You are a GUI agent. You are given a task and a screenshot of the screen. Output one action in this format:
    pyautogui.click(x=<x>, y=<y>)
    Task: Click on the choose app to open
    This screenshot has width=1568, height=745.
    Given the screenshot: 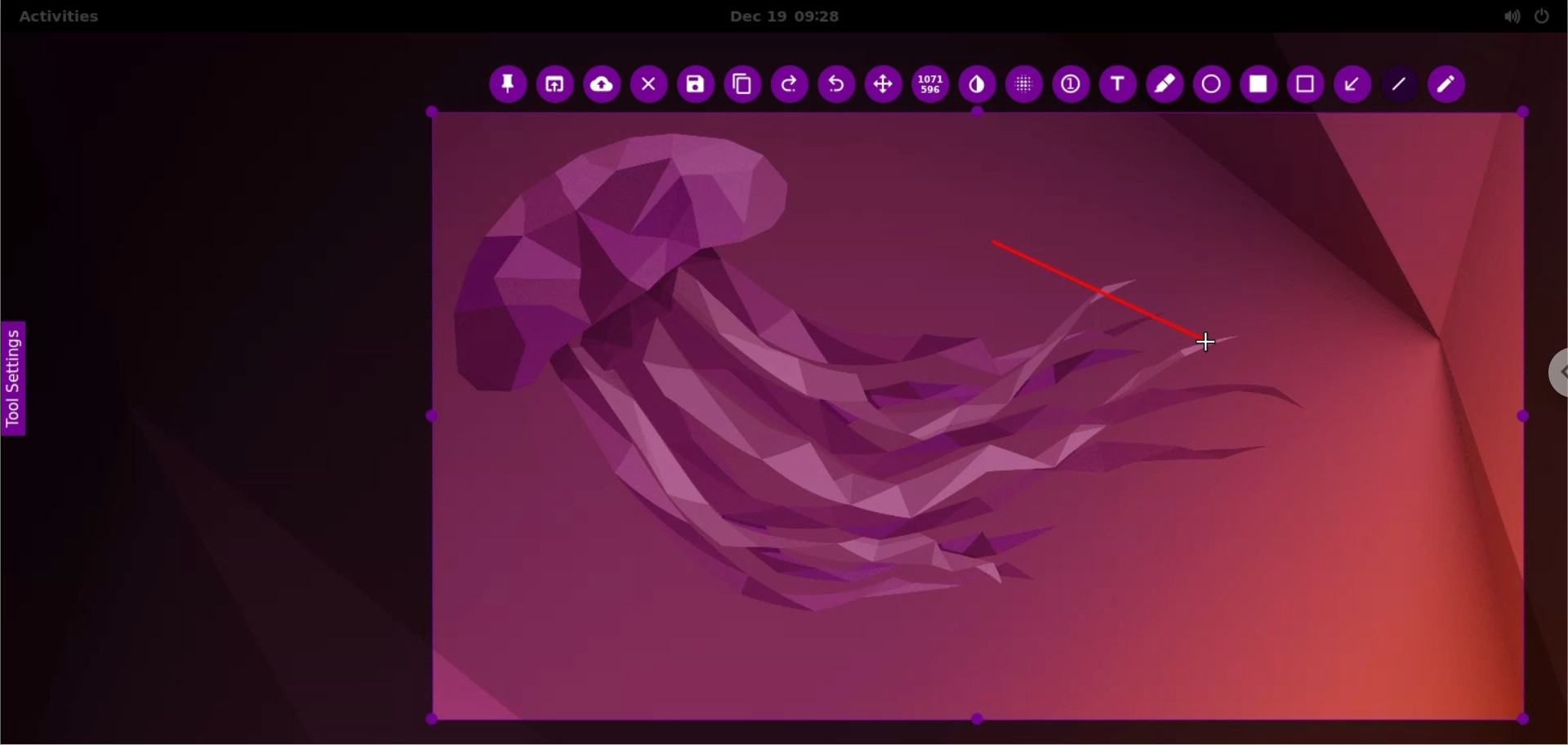 What is the action you would take?
    pyautogui.click(x=557, y=85)
    